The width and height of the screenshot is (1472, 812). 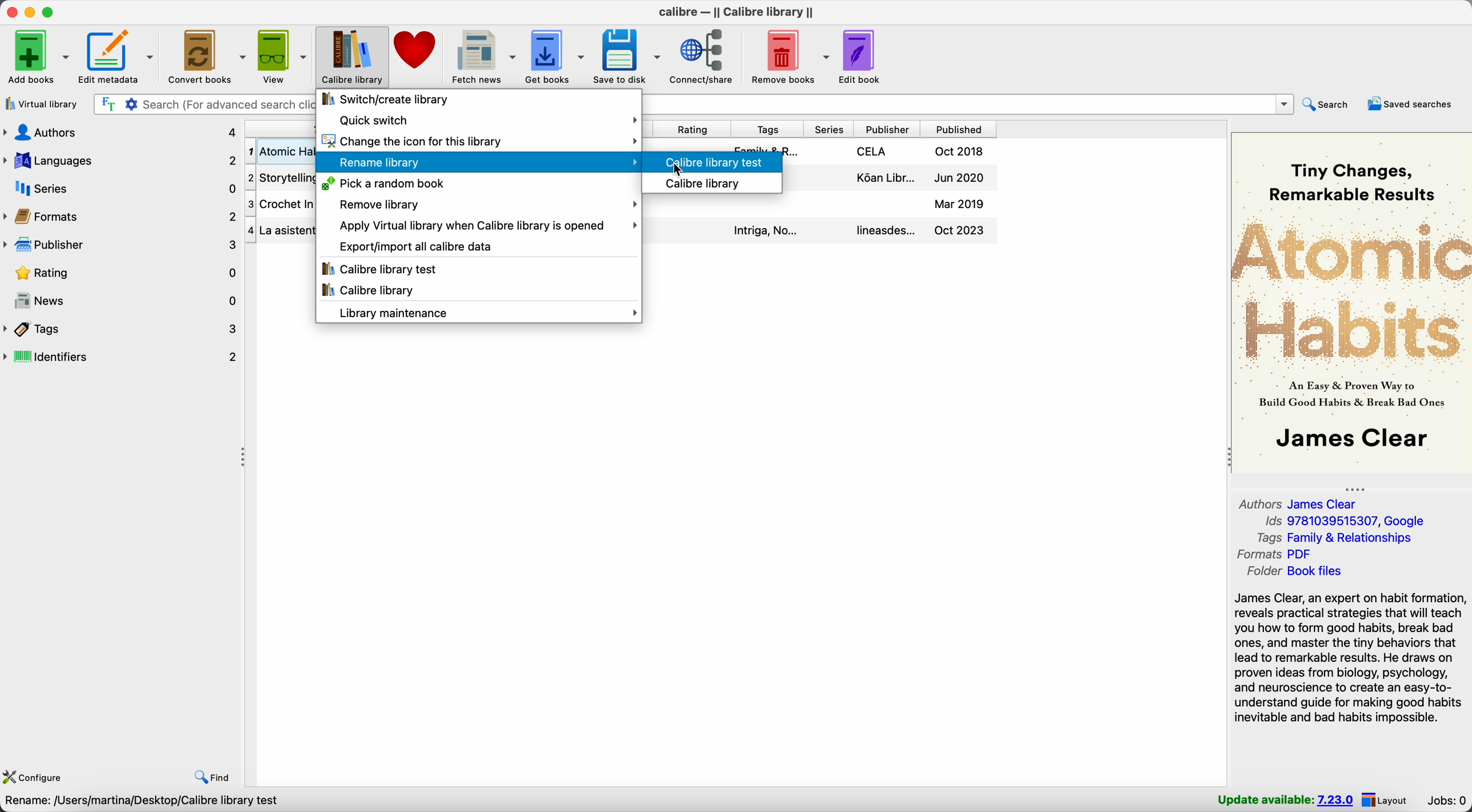 I want to click on formats, so click(x=122, y=216).